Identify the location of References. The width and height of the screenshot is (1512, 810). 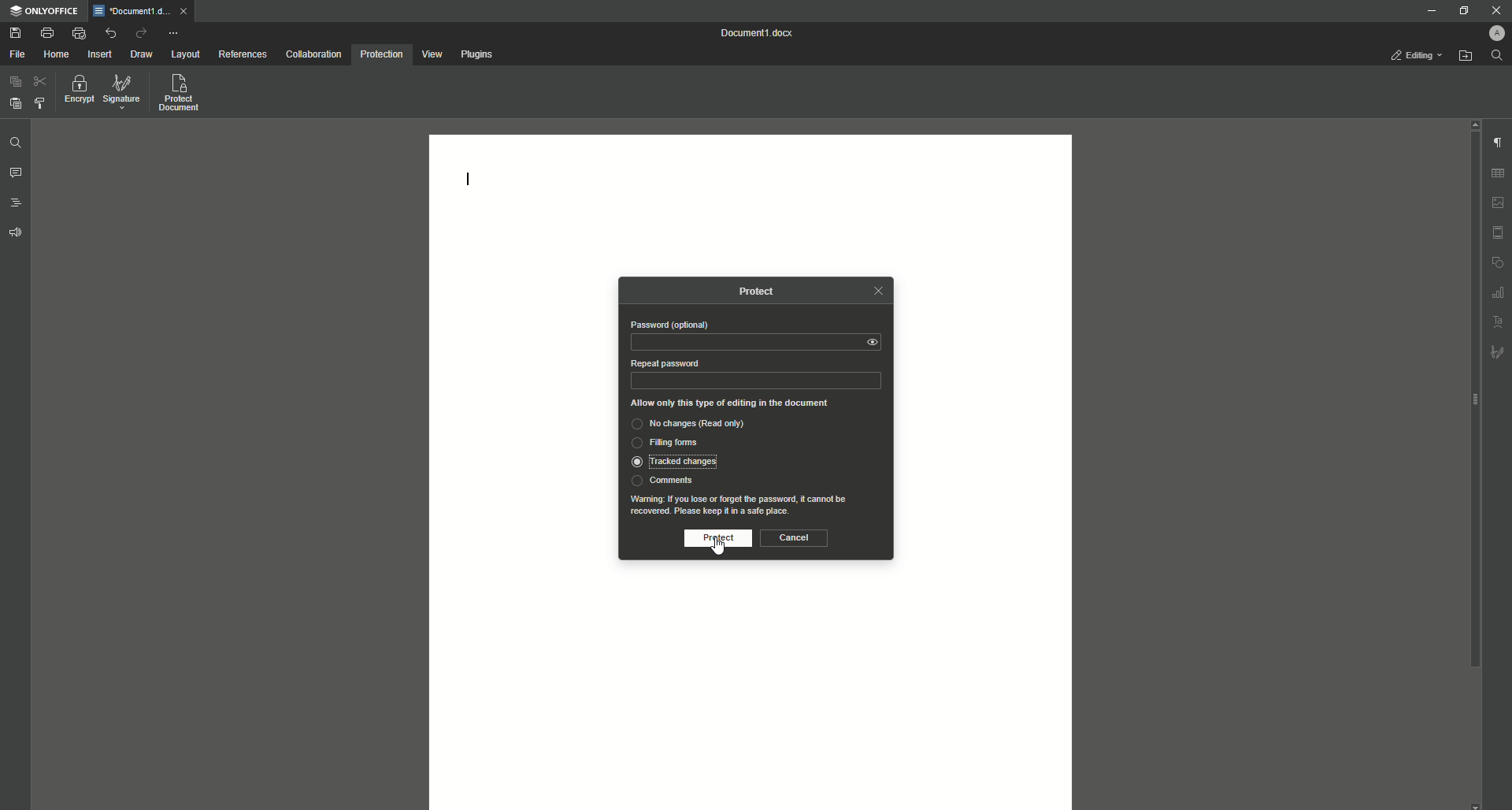
(242, 54).